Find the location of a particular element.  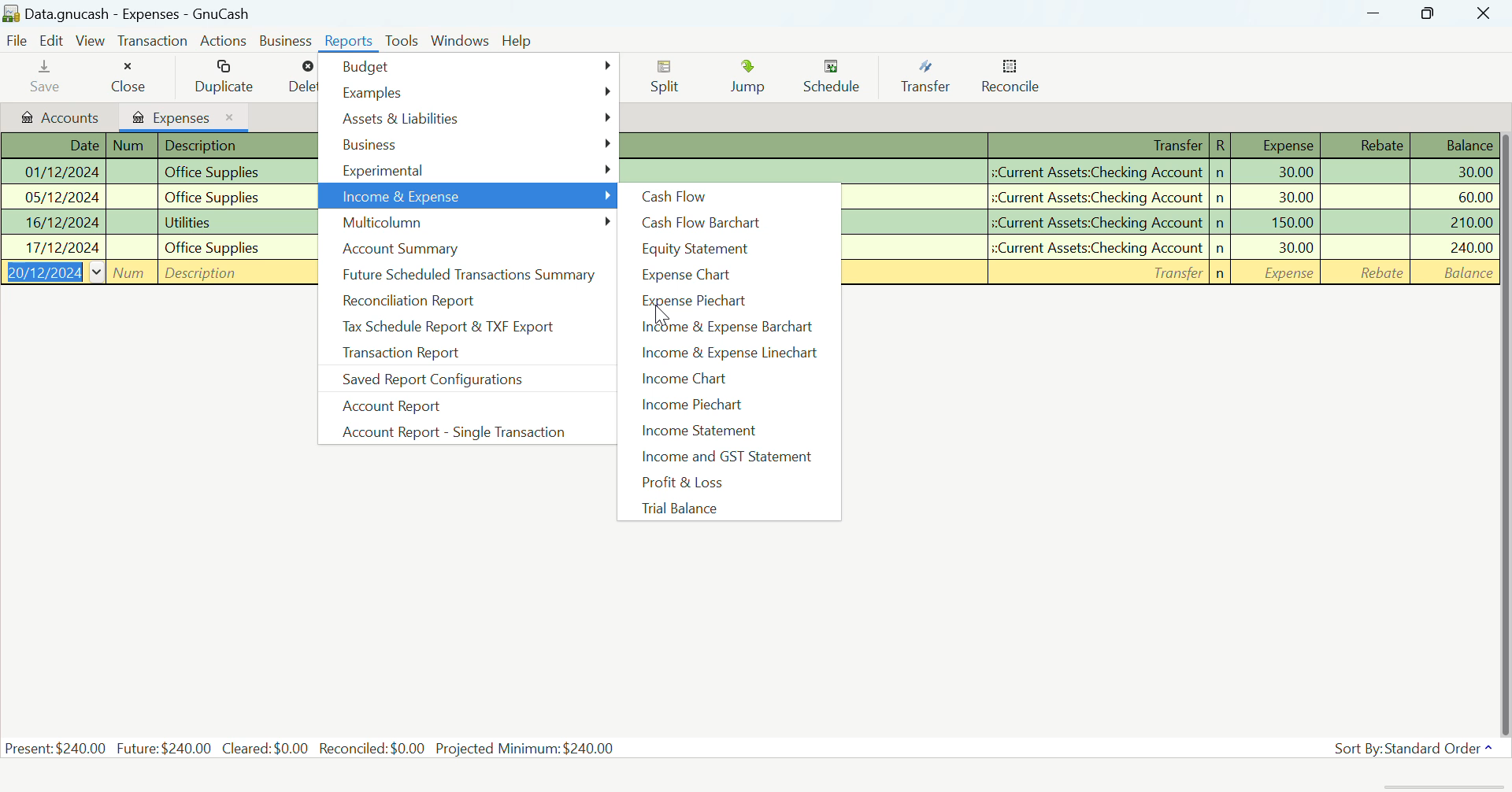

Income & Expense is located at coordinates (469, 196).